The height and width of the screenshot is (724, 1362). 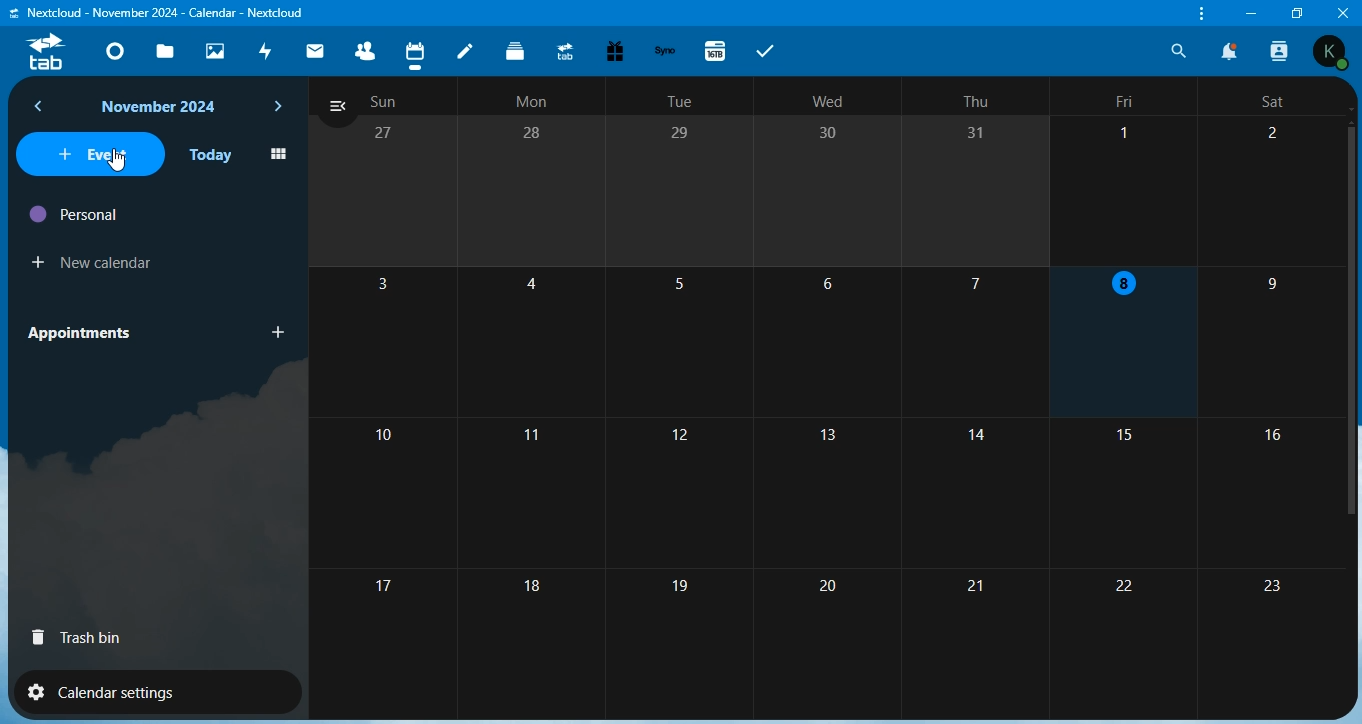 What do you see at coordinates (113, 47) in the screenshot?
I see `dashboard` at bounding box center [113, 47].